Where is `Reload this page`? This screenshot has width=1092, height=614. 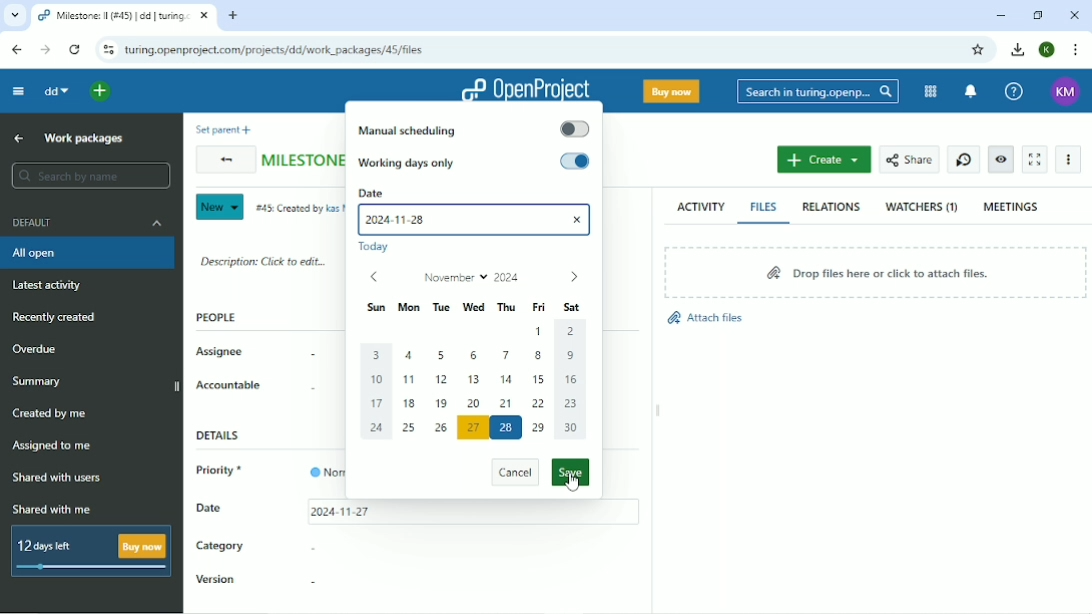
Reload this page is located at coordinates (74, 49).